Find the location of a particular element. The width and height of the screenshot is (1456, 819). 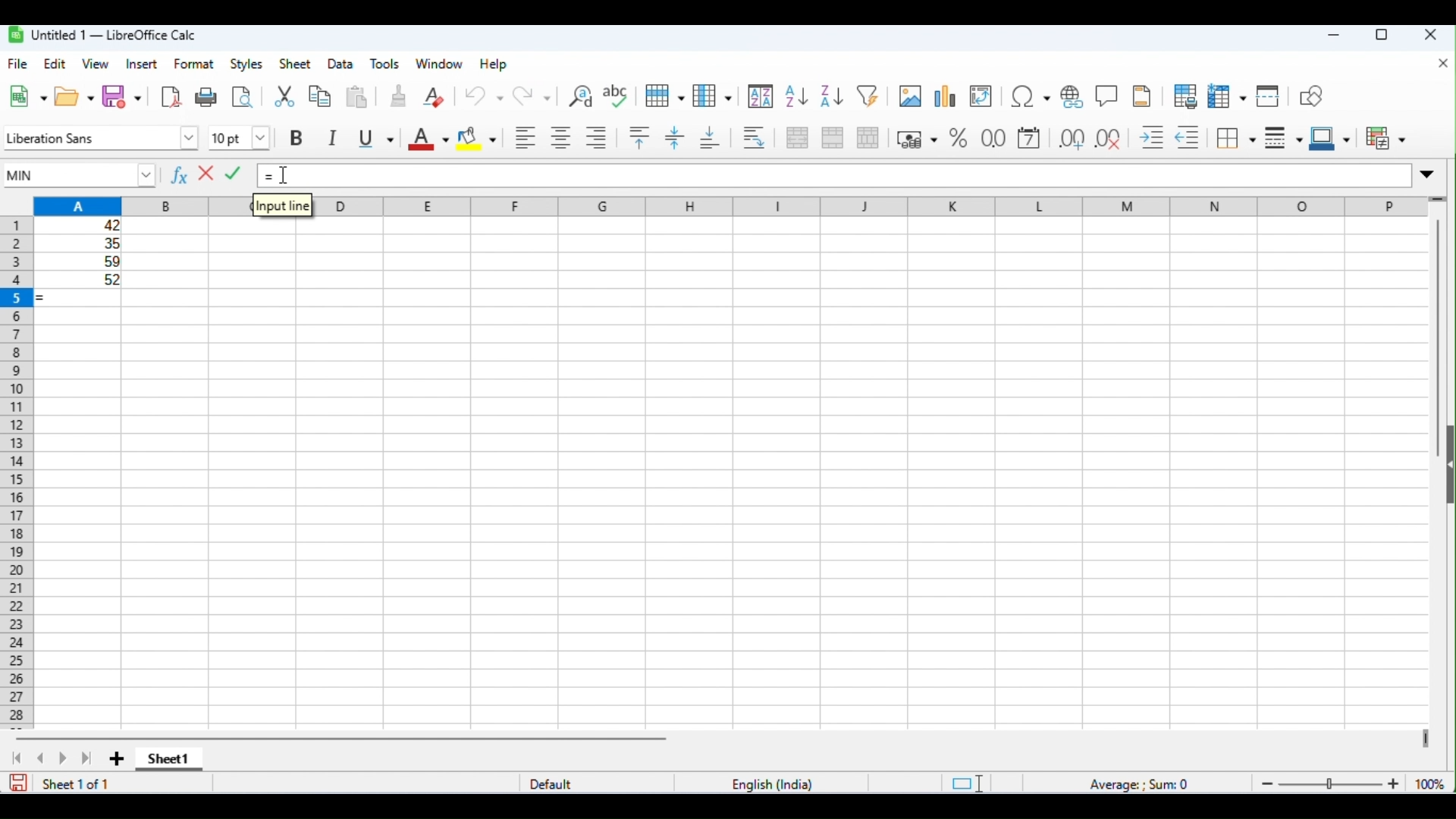

insert hyperlink is located at coordinates (1072, 96).